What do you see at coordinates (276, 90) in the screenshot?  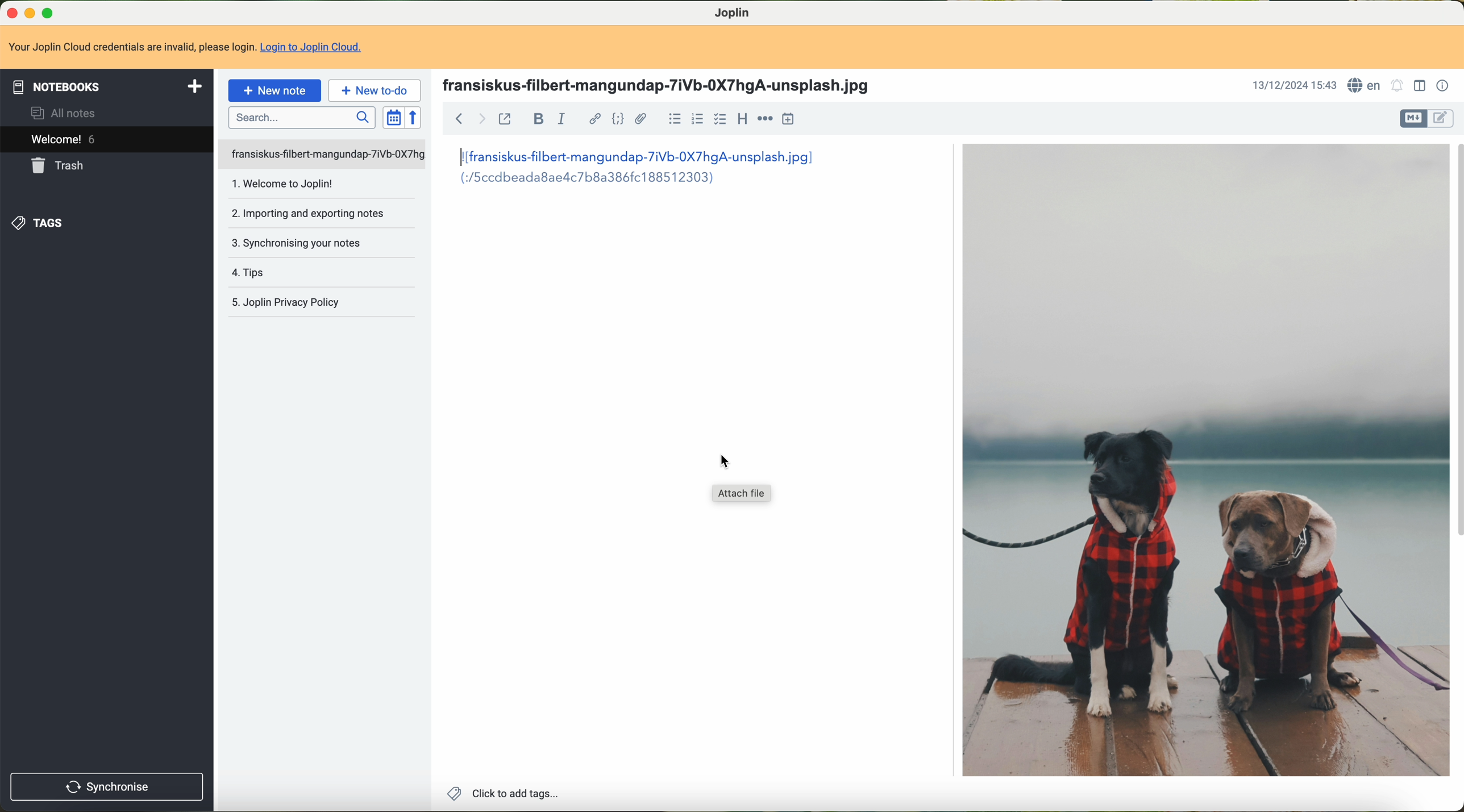 I see `click on new note` at bounding box center [276, 90].